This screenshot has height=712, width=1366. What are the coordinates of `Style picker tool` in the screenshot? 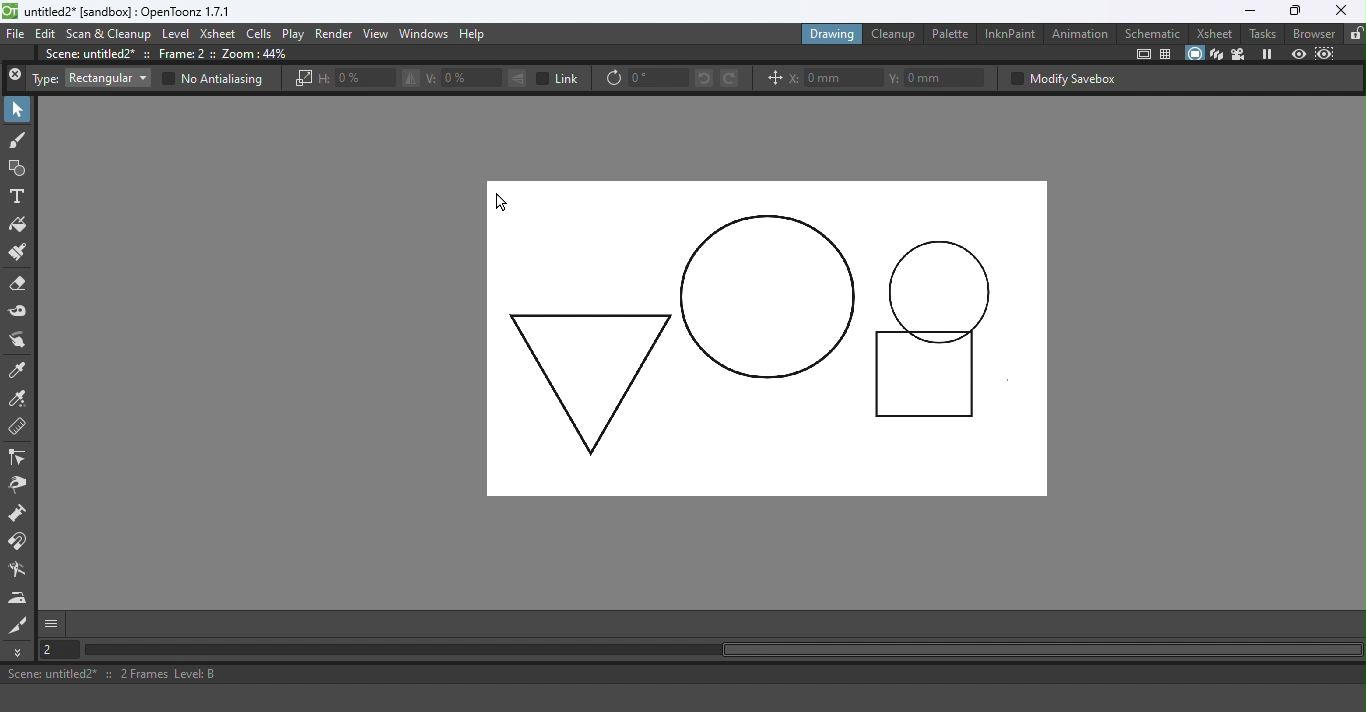 It's located at (20, 370).